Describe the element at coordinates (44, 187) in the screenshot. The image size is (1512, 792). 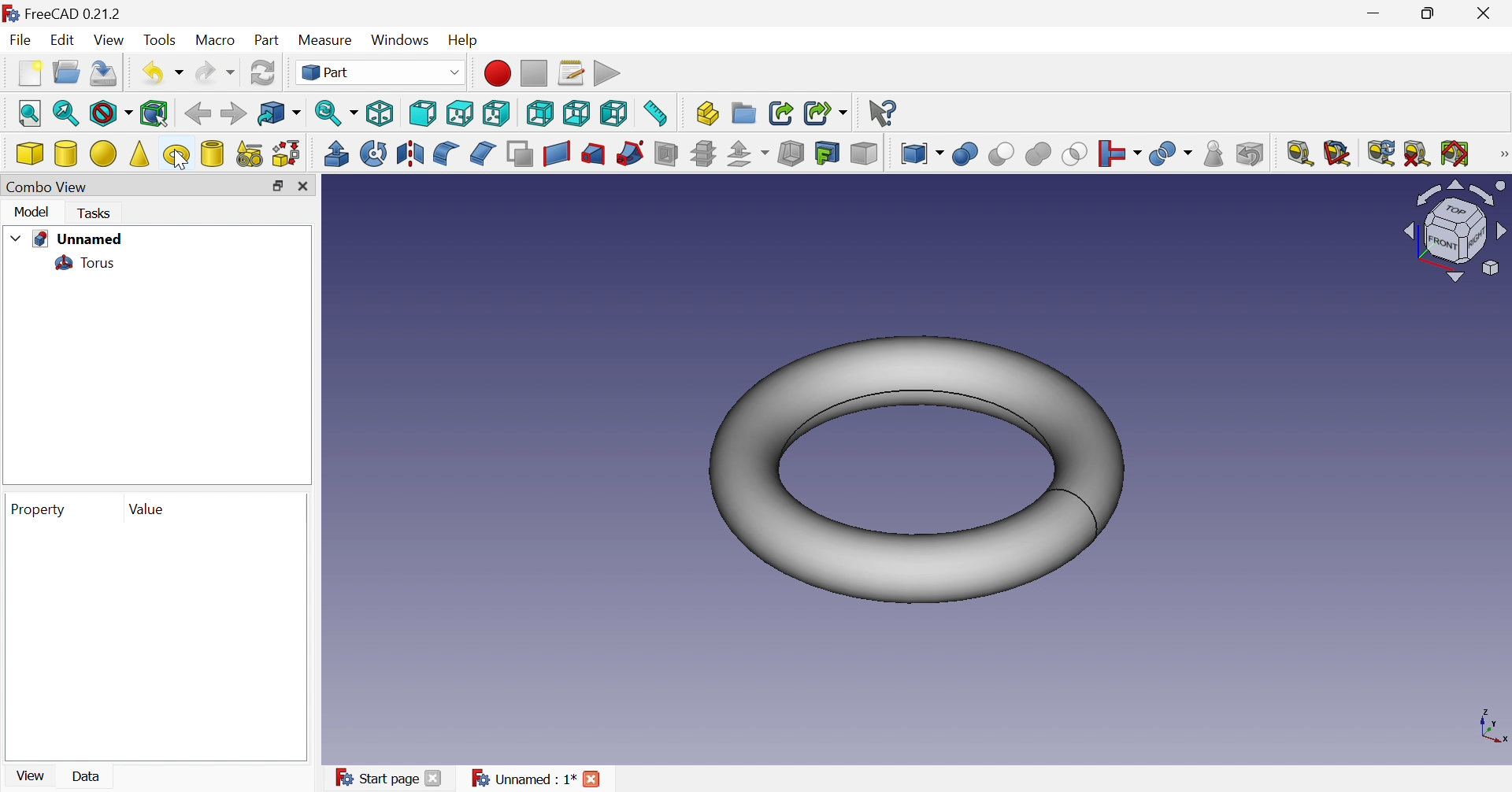
I see `Combo view` at that location.